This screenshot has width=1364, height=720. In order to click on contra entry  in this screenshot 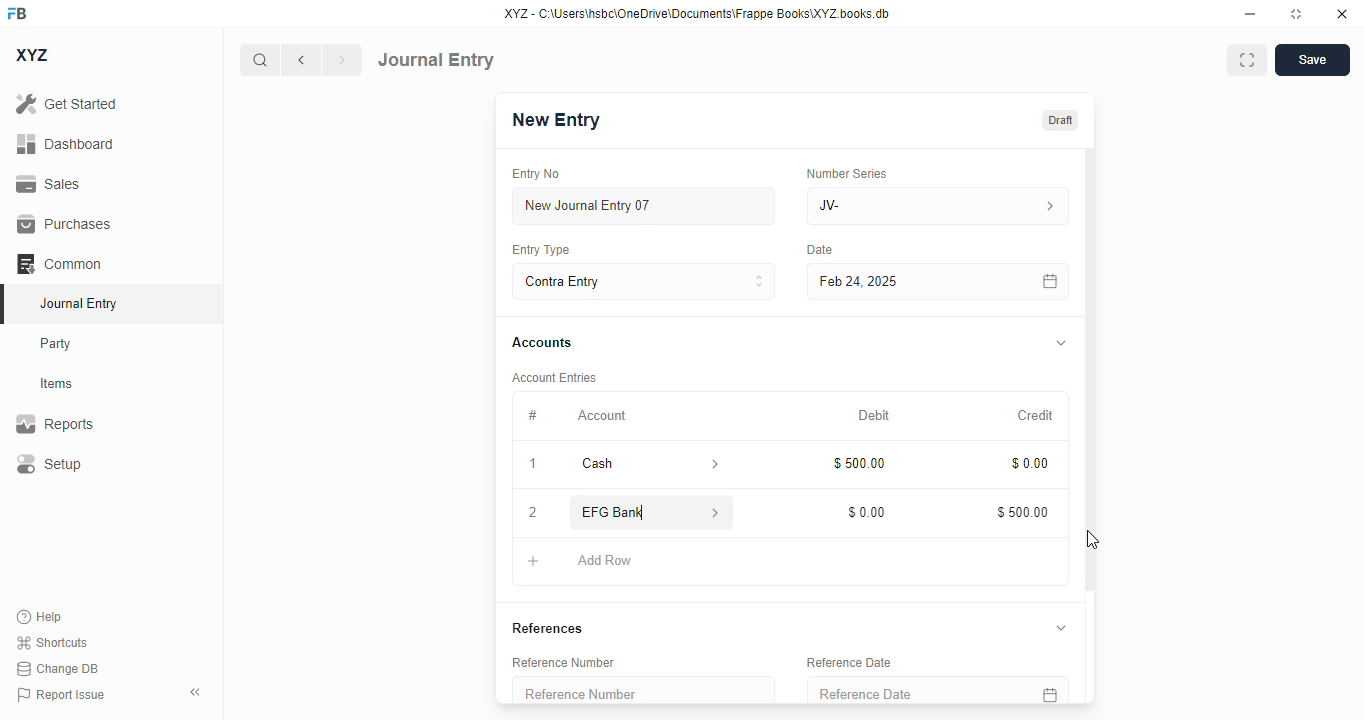, I will do `click(643, 280)`.